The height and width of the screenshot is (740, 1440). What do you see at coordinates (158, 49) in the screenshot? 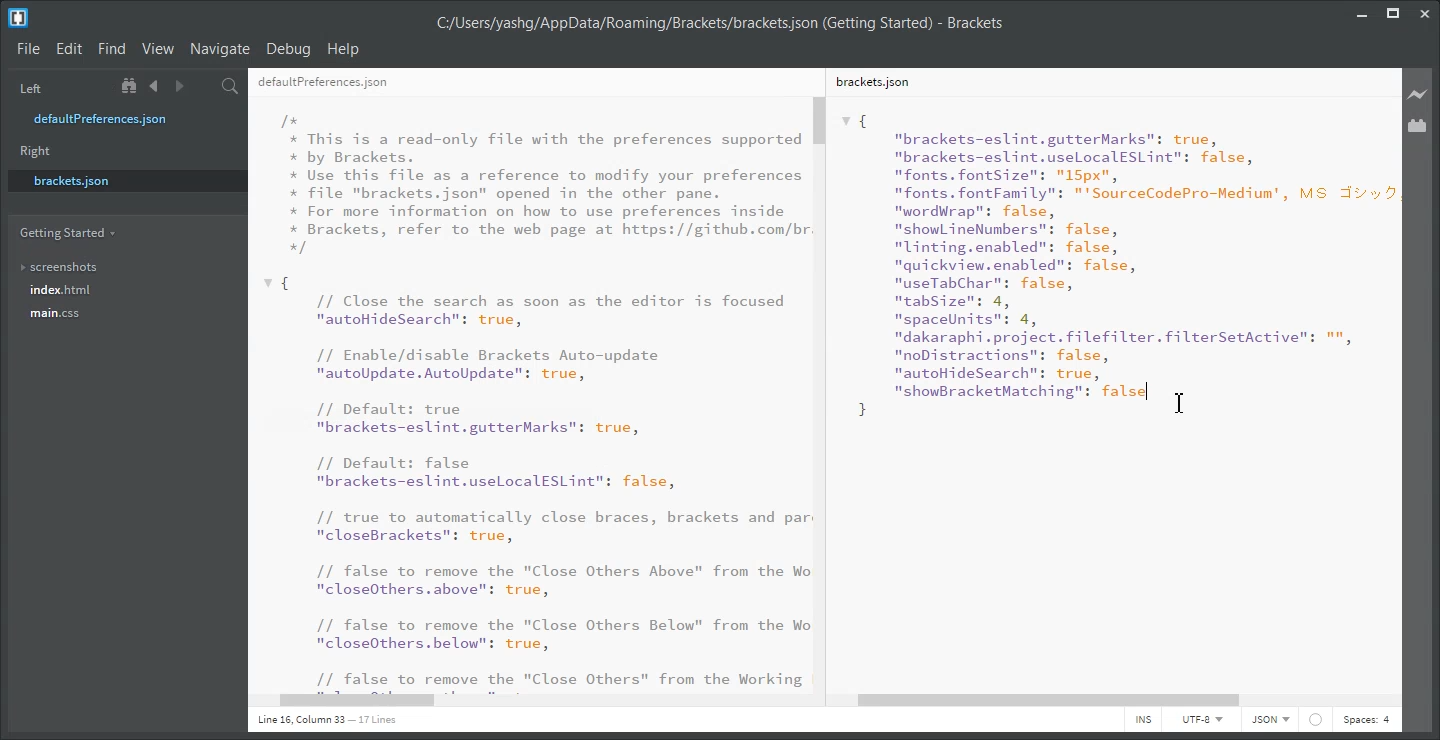
I see `View` at bounding box center [158, 49].